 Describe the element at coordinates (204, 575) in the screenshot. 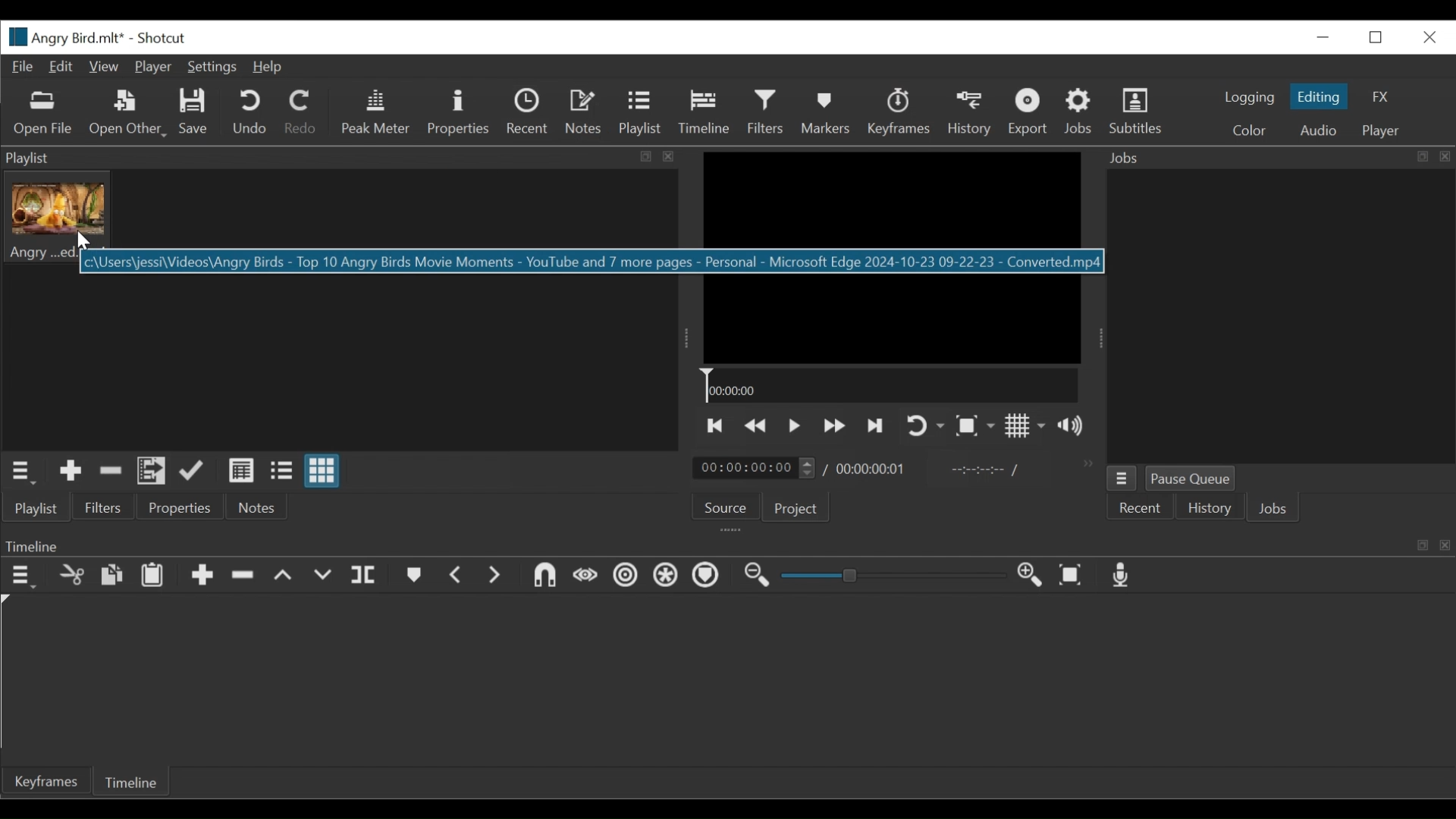

I see `Append` at that location.